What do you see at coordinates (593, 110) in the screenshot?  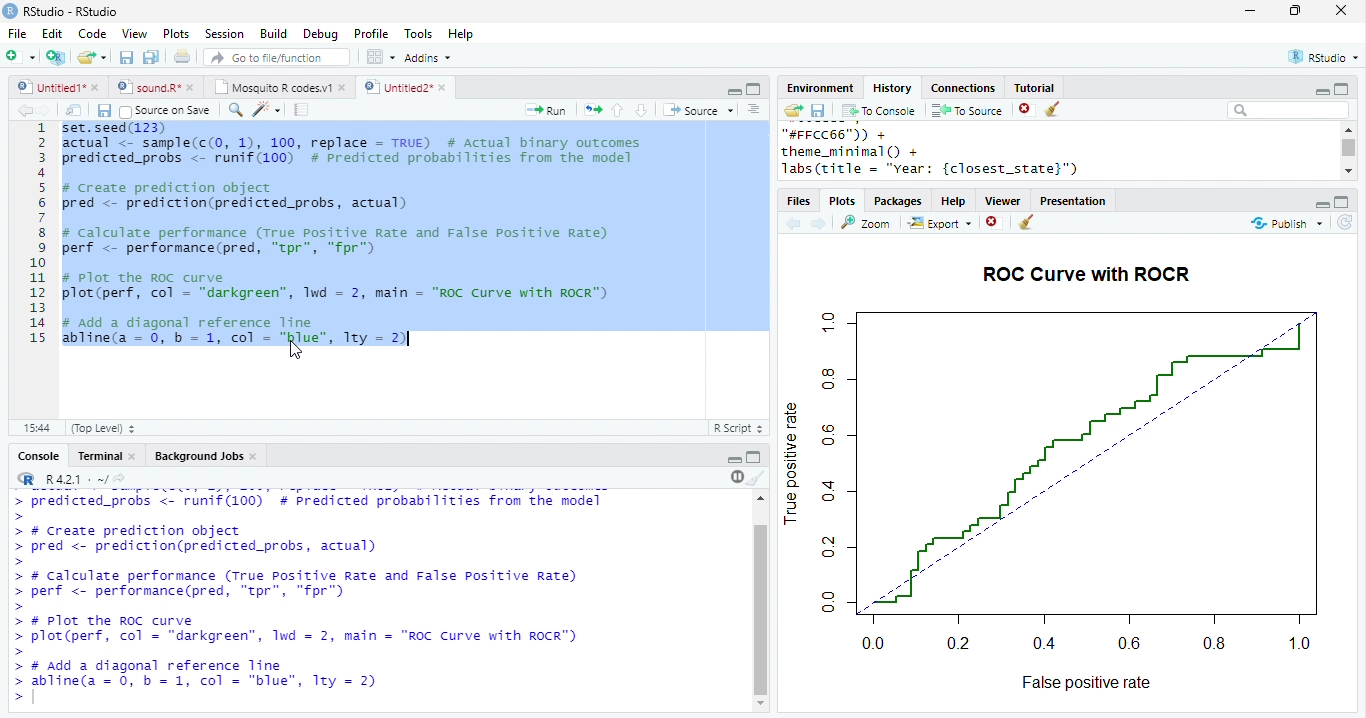 I see `rerun` at bounding box center [593, 110].